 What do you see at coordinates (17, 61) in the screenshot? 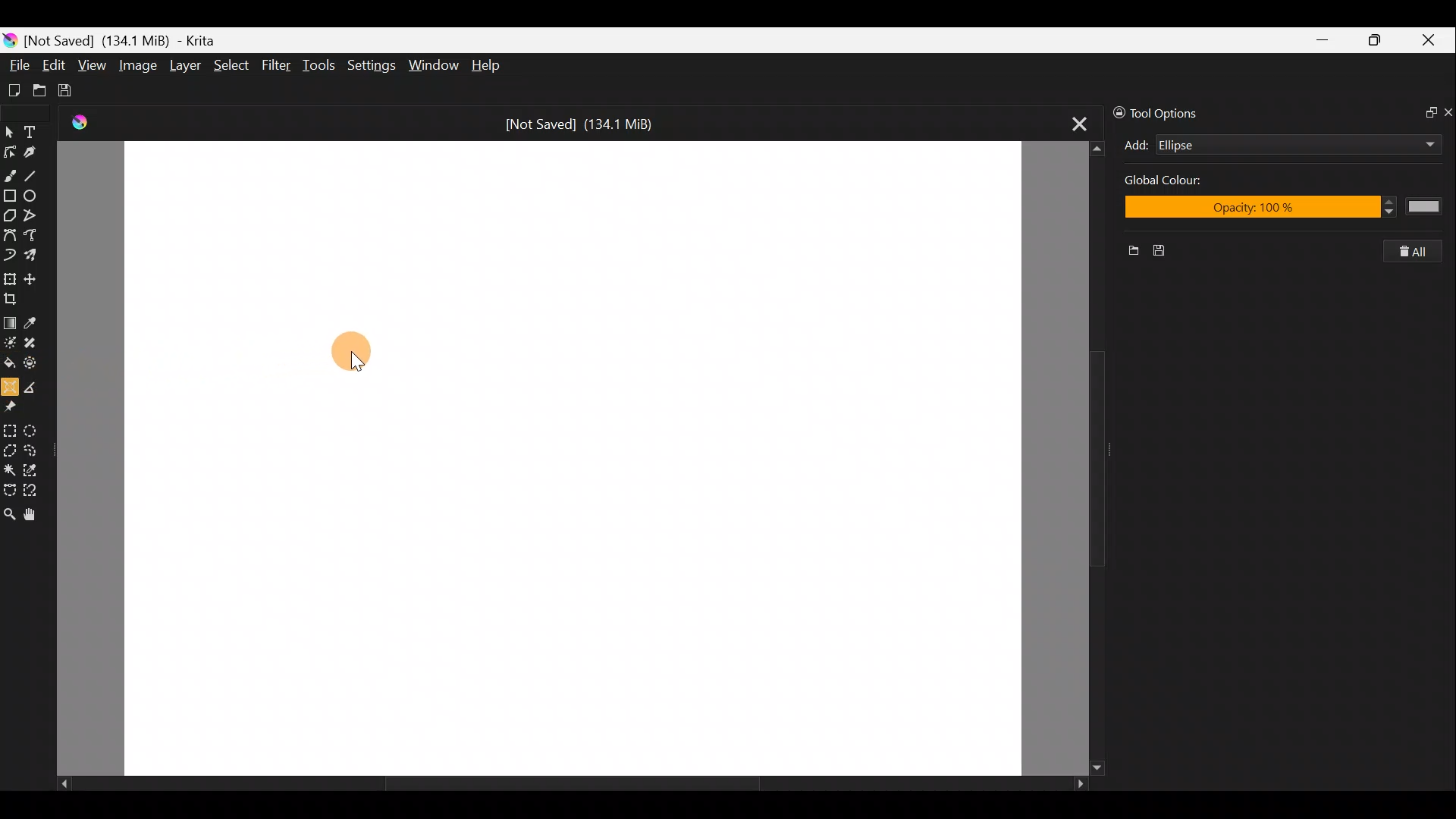
I see `File` at bounding box center [17, 61].